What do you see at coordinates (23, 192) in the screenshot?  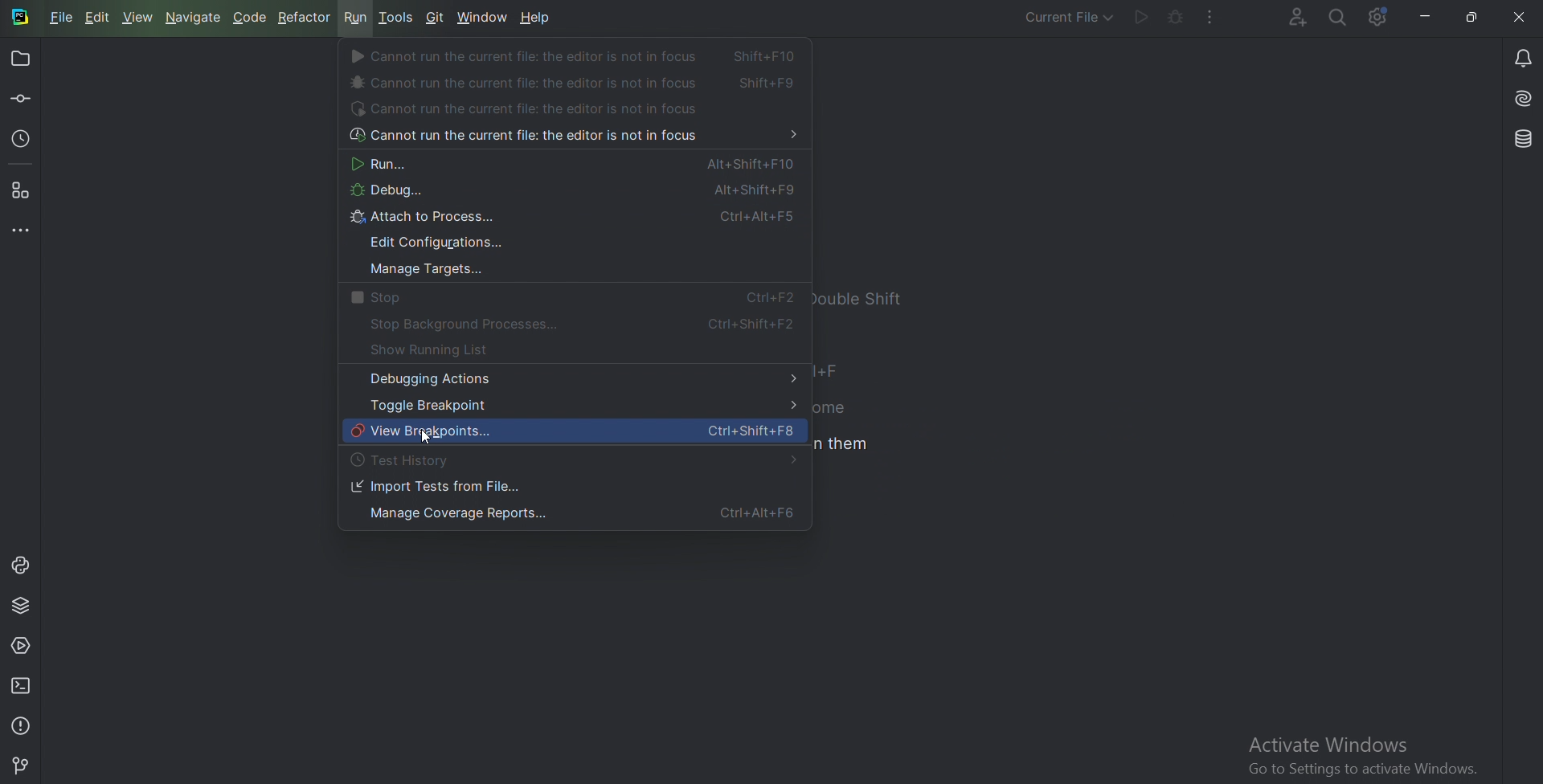 I see `Structure` at bounding box center [23, 192].